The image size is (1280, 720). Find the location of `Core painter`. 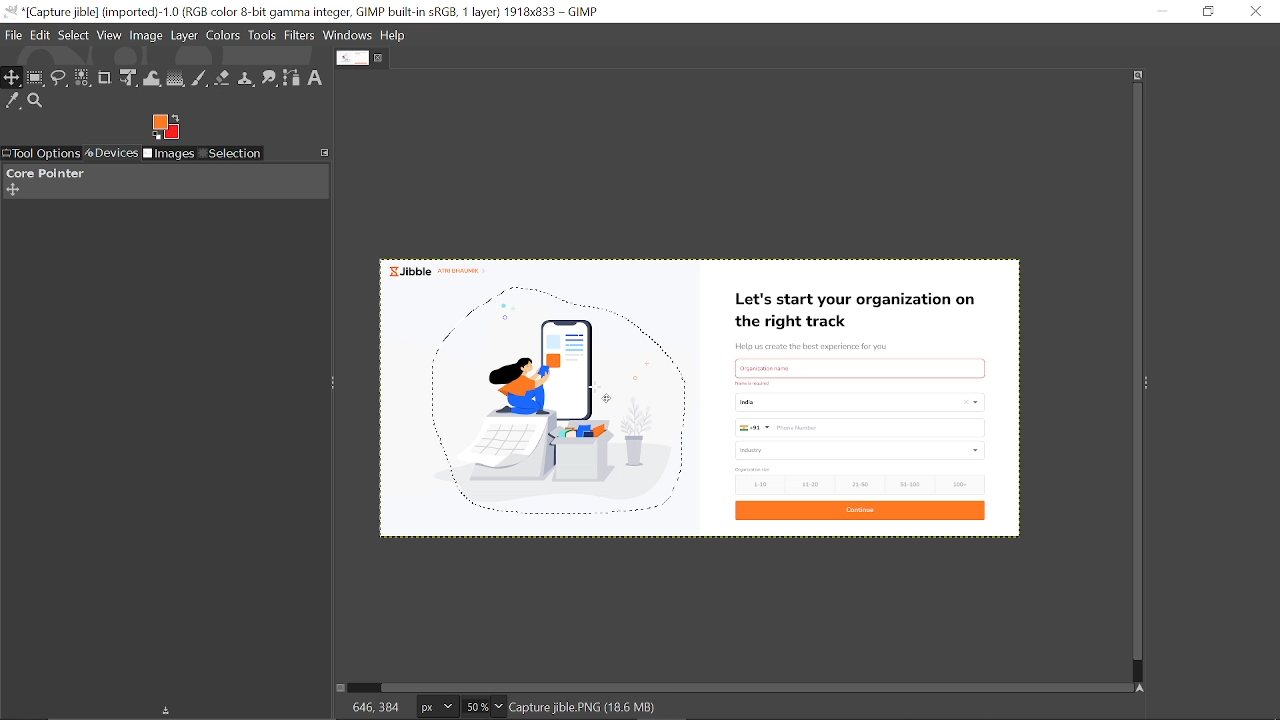

Core painter is located at coordinates (43, 173).